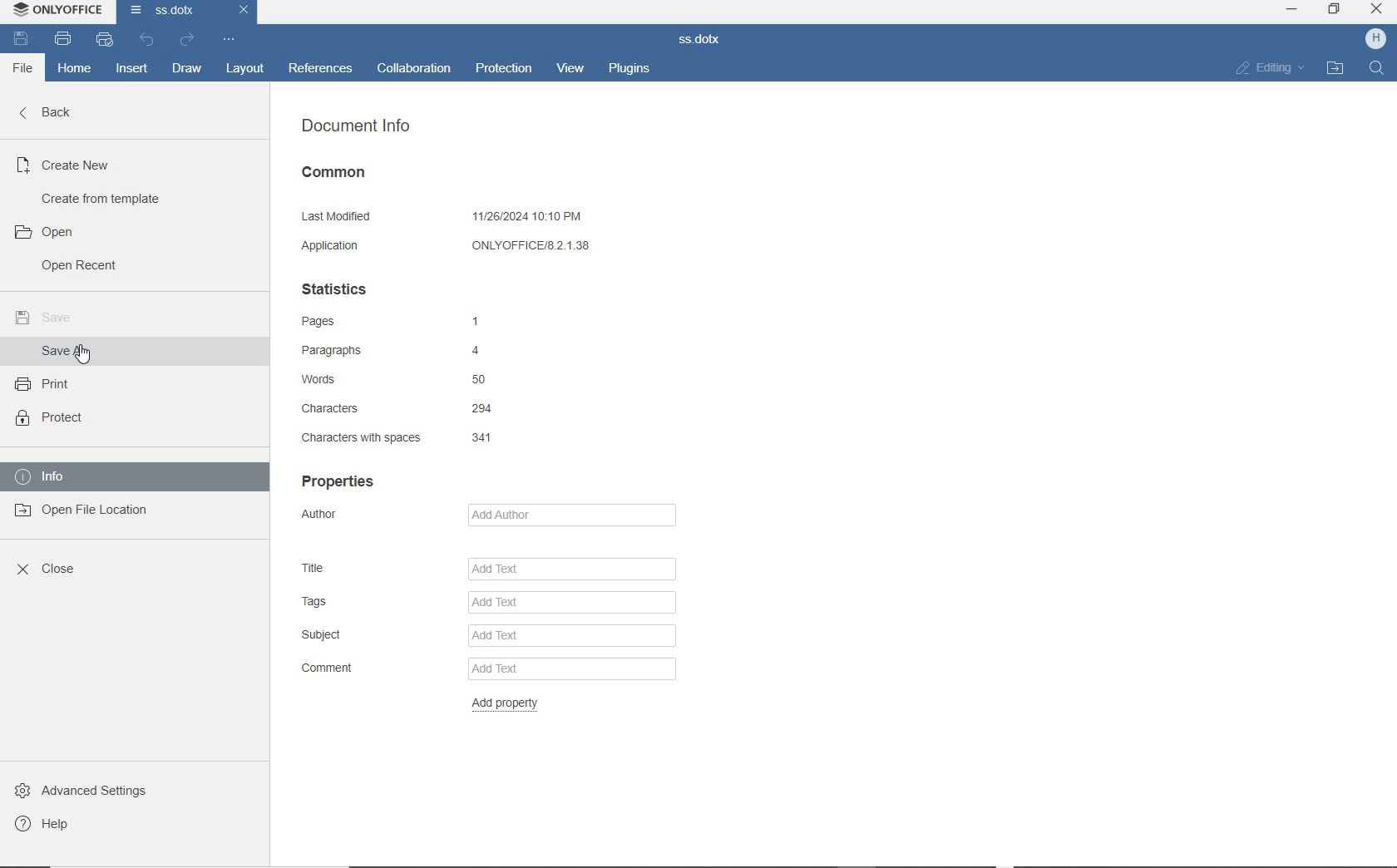 Image resolution: width=1397 pixels, height=868 pixels. Describe the element at coordinates (51, 825) in the screenshot. I see `HELP` at that location.